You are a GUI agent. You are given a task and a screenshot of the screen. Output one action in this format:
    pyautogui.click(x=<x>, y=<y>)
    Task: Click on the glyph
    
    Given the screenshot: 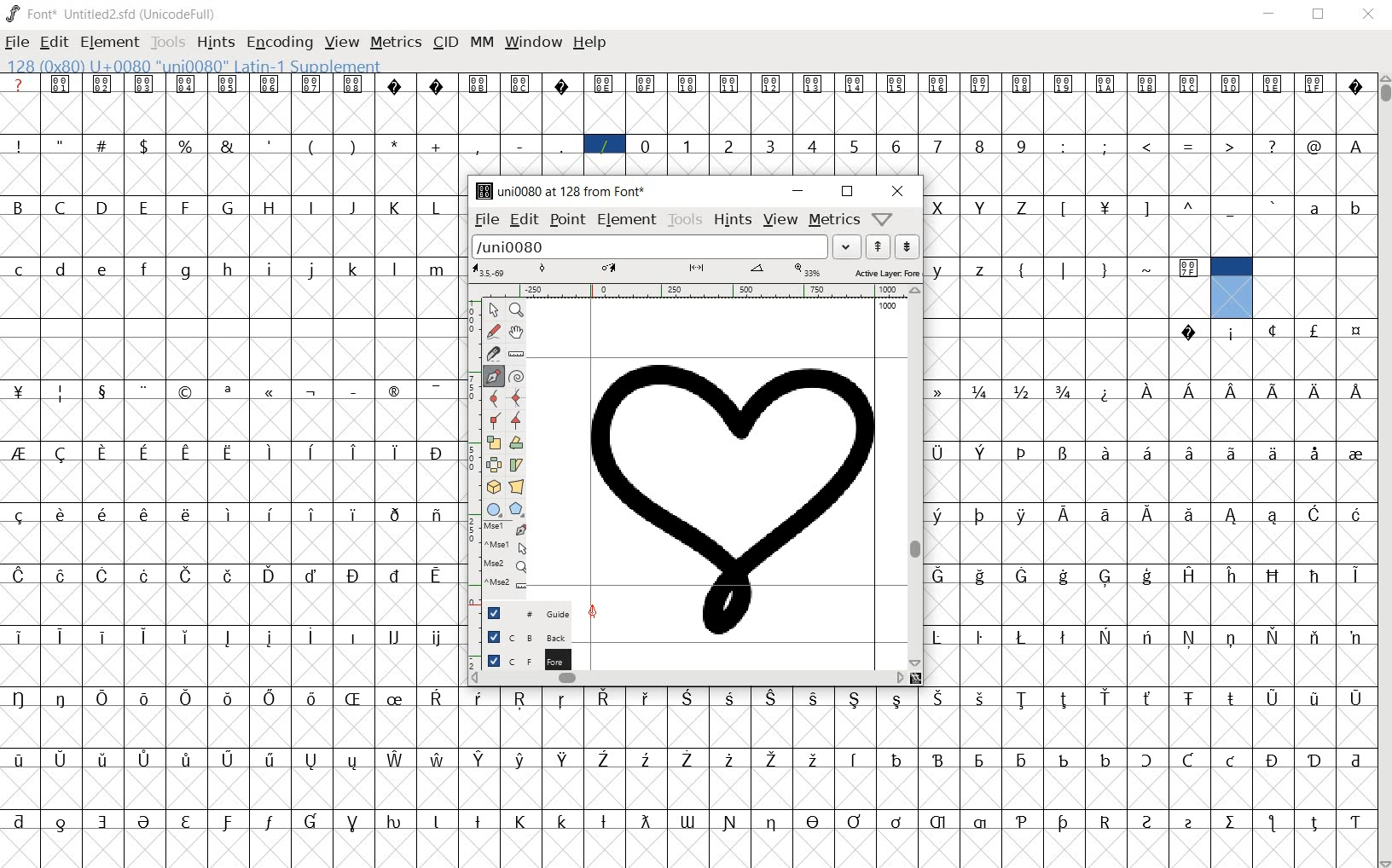 What is the action you would take?
    pyautogui.click(x=1356, y=147)
    